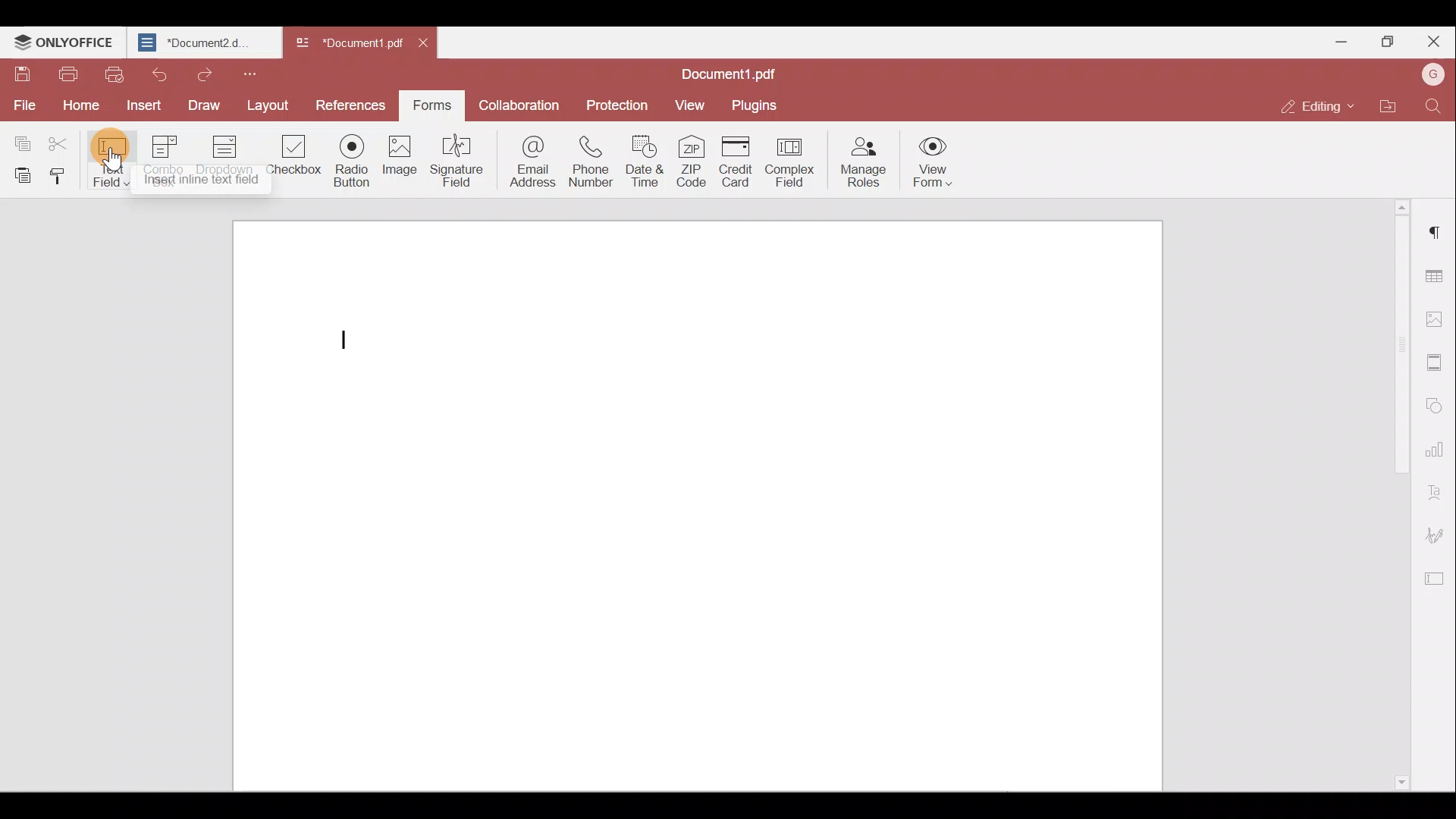  I want to click on Editing mode, so click(1310, 104).